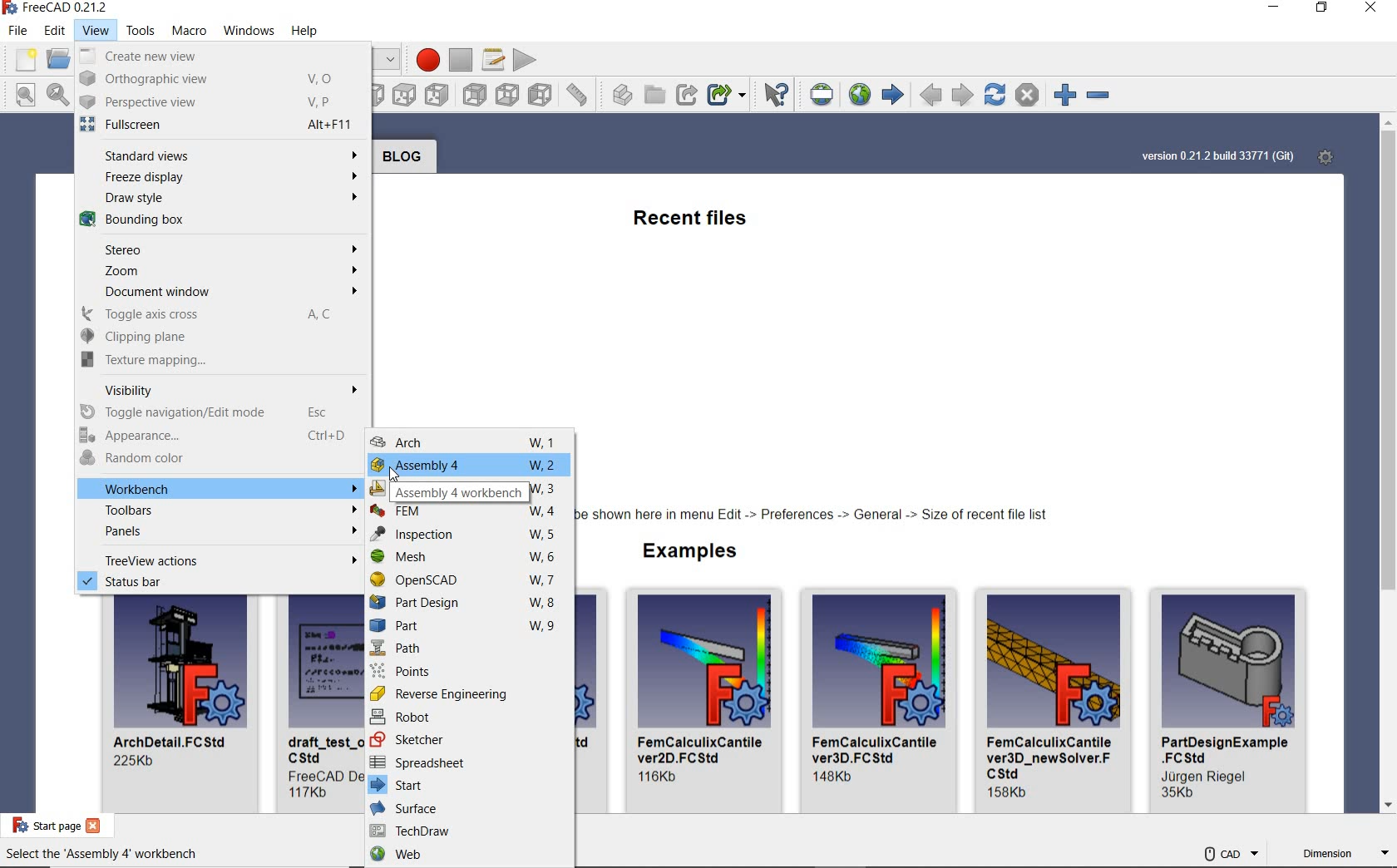 The image size is (1397, 868). What do you see at coordinates (729, 94) in the screenshot?
I see `MAKE SUB-LINK` at bounding box center [729, 94].